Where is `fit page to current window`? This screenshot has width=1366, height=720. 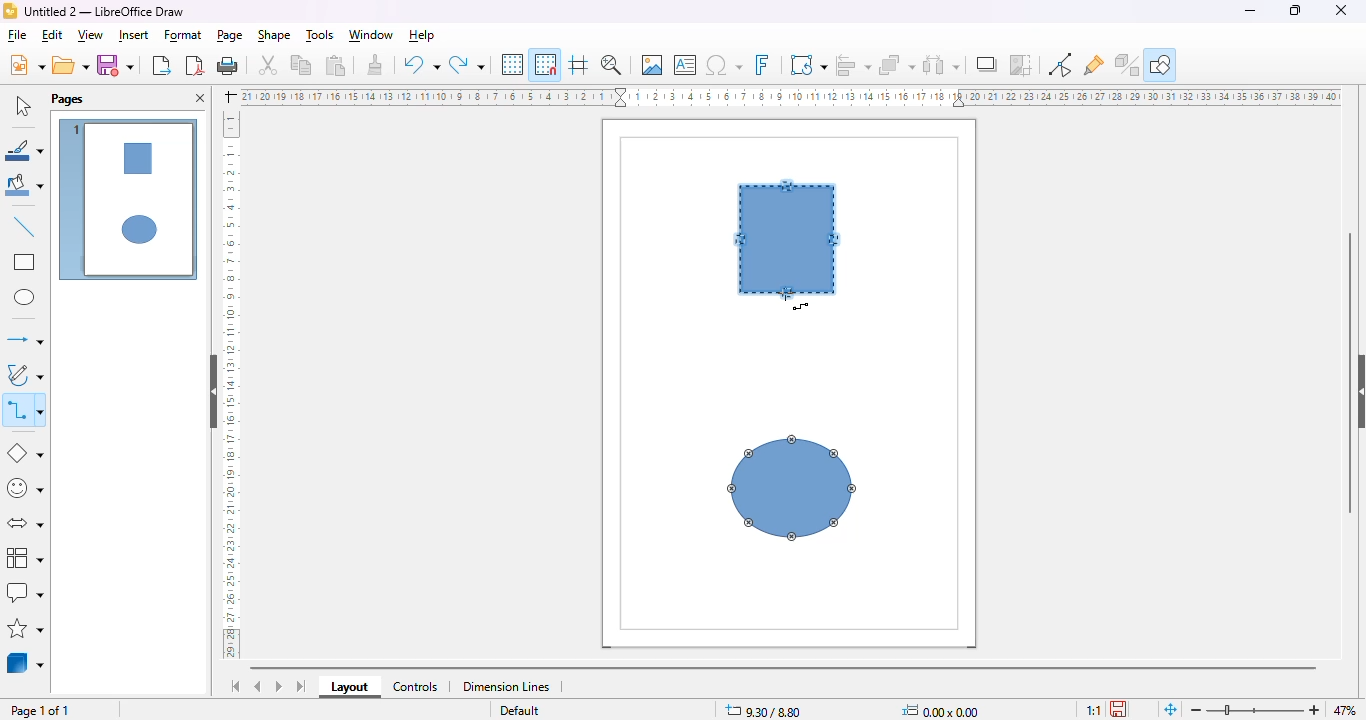 fit page to current window is located at coordinates (1170, 709).